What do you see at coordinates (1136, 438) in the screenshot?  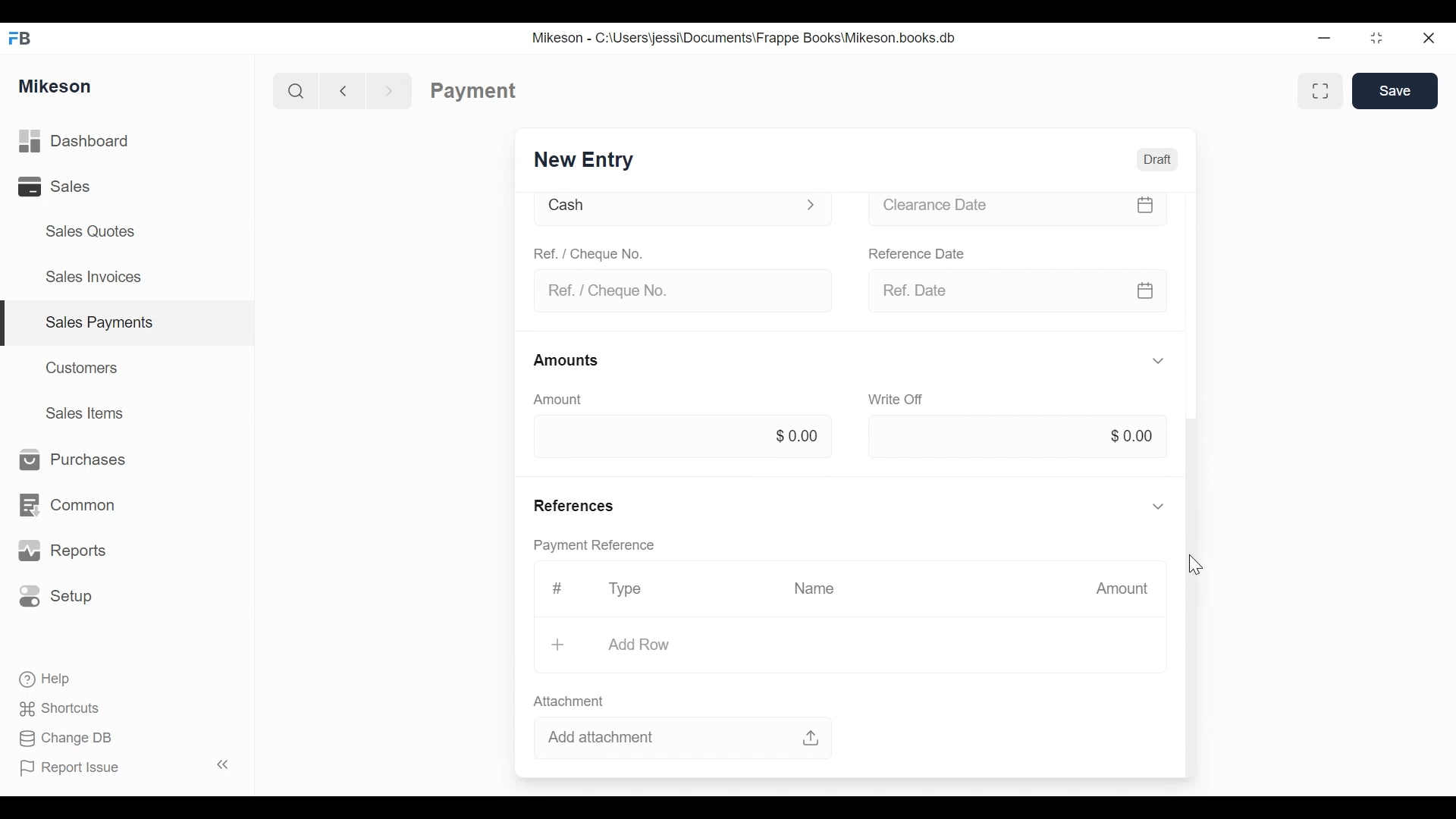 I see `$ 0.00` at bounding box center [1136, 438].